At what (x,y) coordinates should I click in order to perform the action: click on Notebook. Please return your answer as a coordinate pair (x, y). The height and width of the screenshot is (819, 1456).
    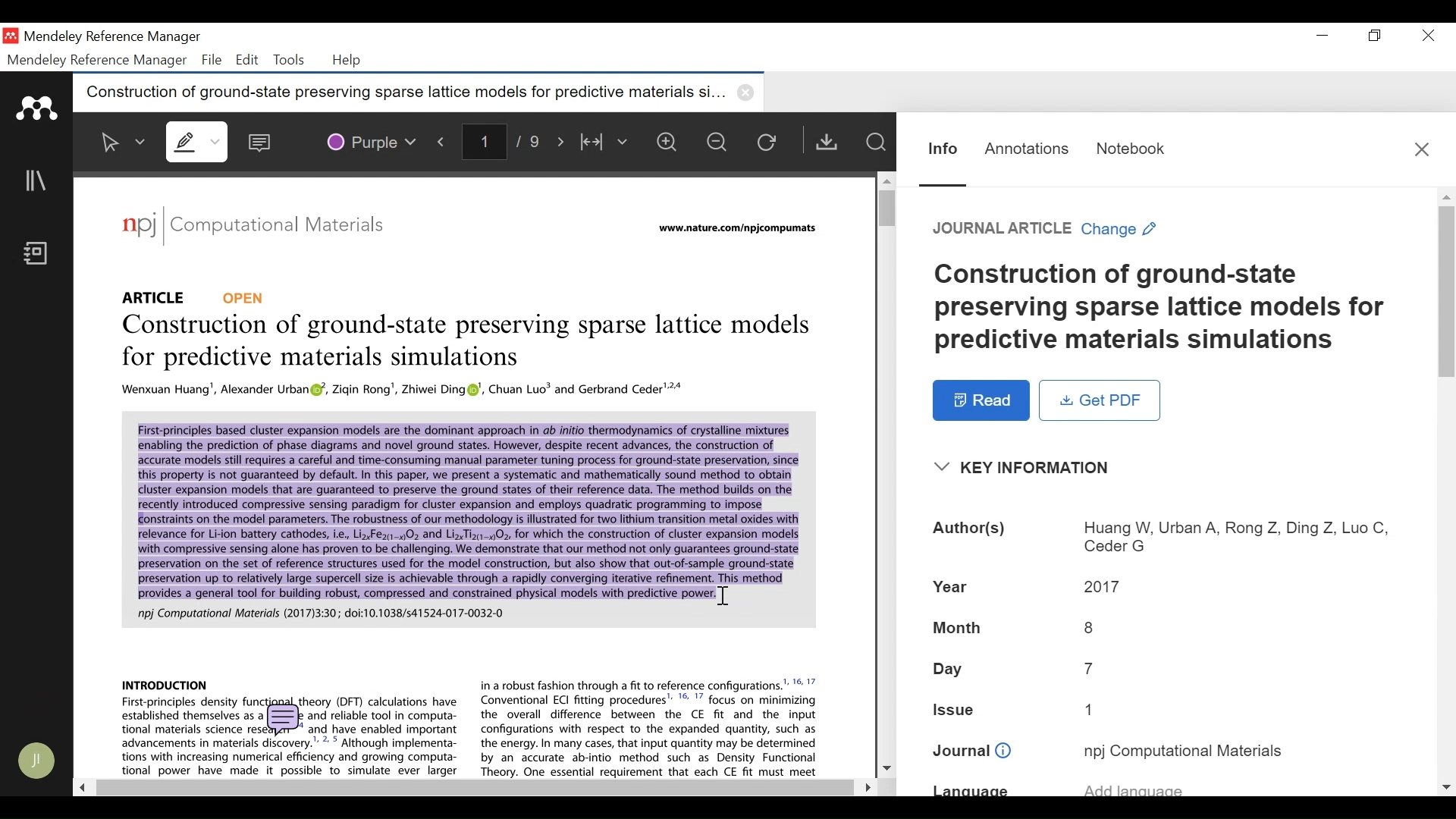
    Looking at the image, I should click on (1131, 149).